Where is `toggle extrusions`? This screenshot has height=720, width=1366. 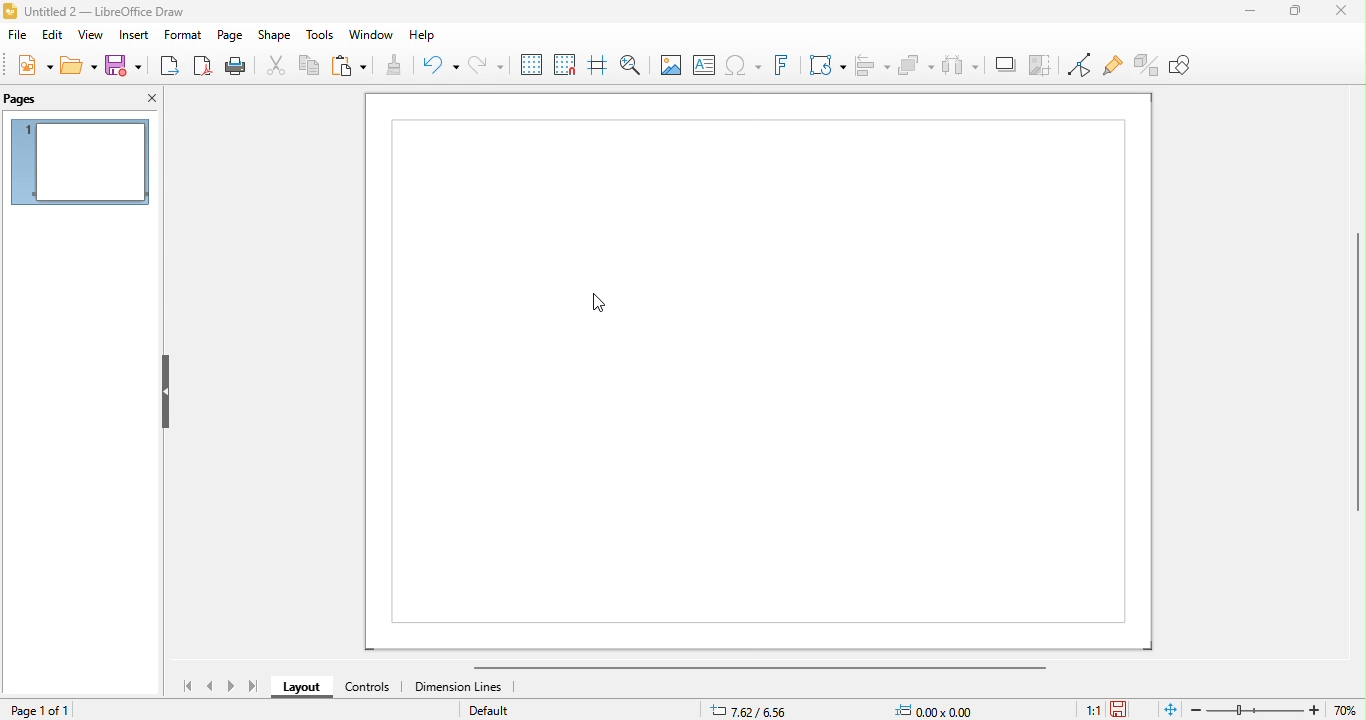 toggle extrusions is located at coordinates (1147, 65).